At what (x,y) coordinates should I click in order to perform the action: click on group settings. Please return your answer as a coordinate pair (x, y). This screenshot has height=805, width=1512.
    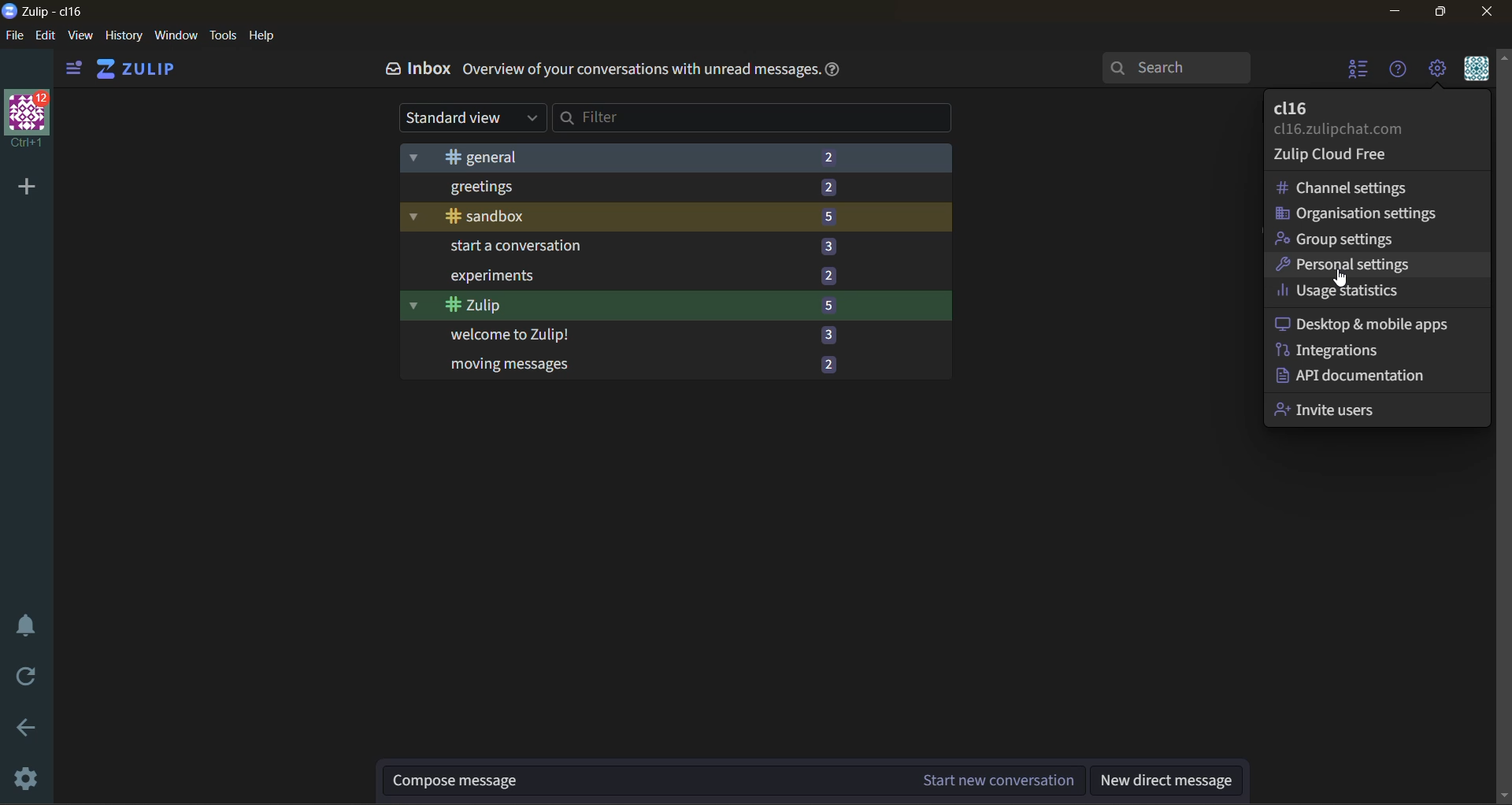
    Looking at the image, I should click on (1340, 239).